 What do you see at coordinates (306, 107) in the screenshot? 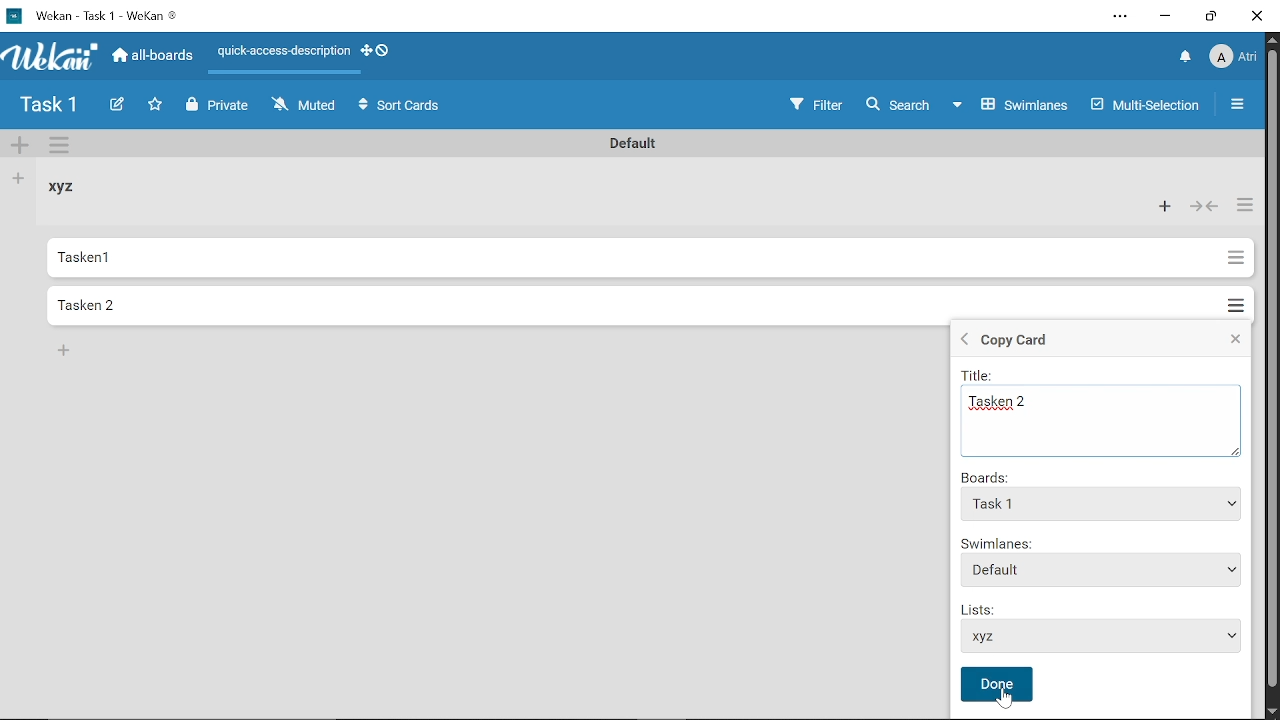
I see `Muted` at bounding box center [306, 107].